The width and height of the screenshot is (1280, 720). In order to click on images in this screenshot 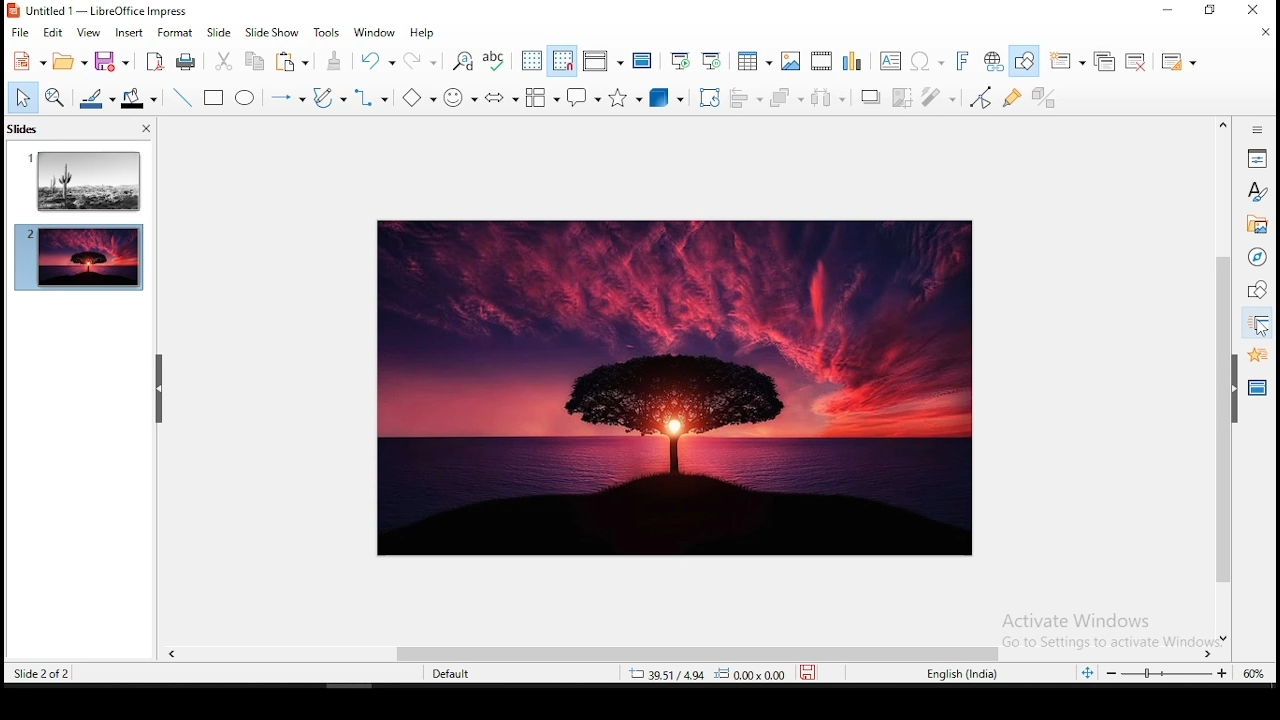, I will do `click(788, 58)`.